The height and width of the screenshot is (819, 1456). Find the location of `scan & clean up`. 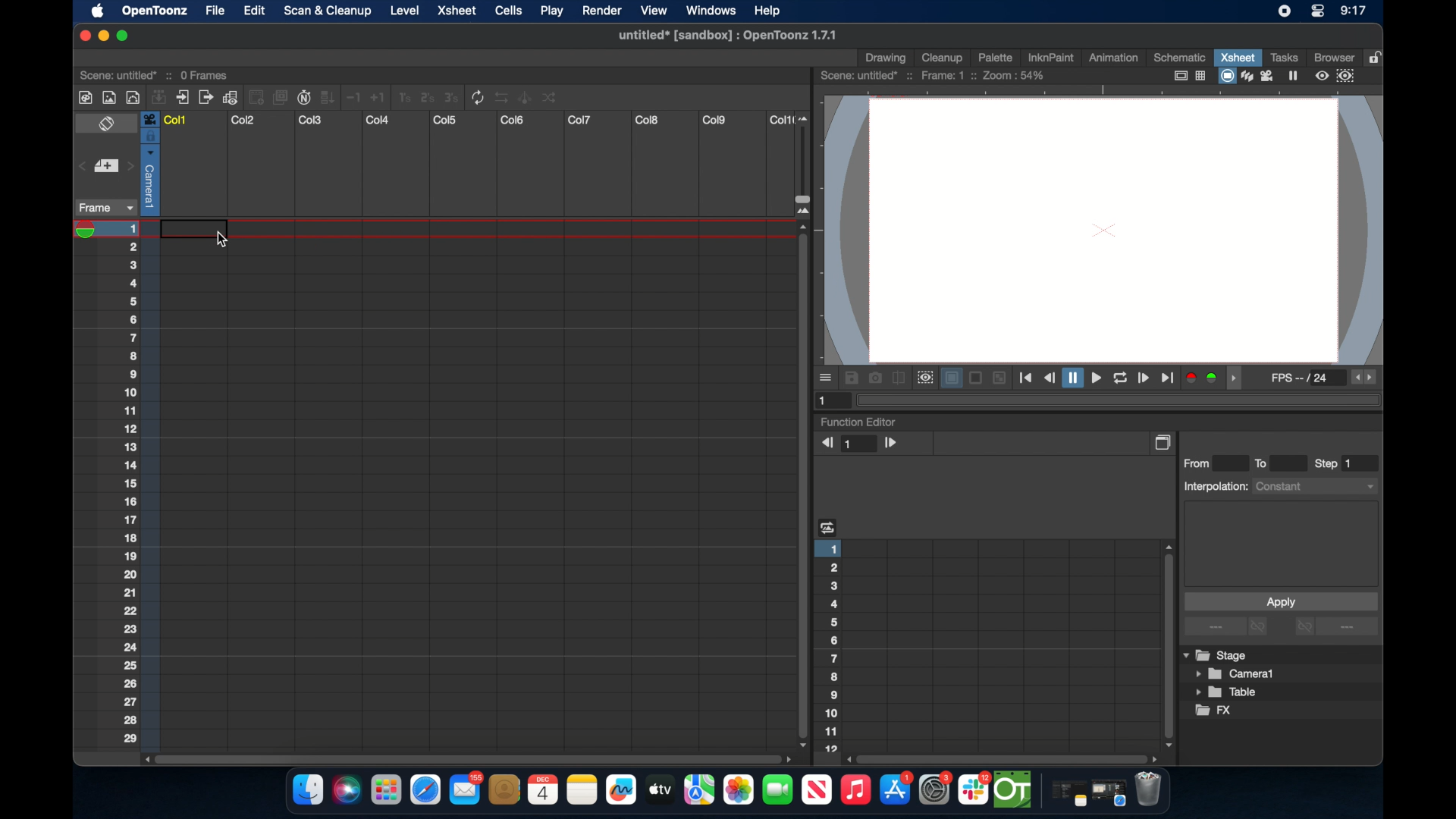

scan & clean up is located at coordinates (327, 12).